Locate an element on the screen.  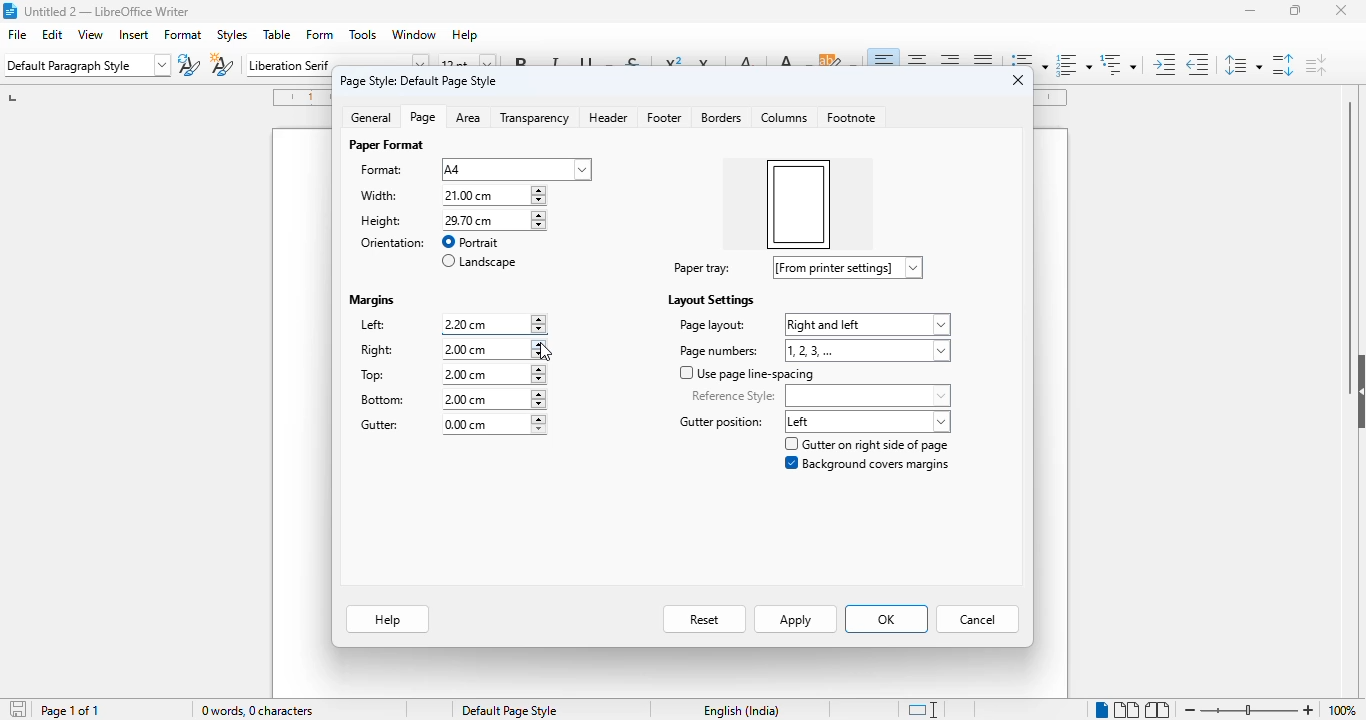
view is located at coordinates (90, 34).